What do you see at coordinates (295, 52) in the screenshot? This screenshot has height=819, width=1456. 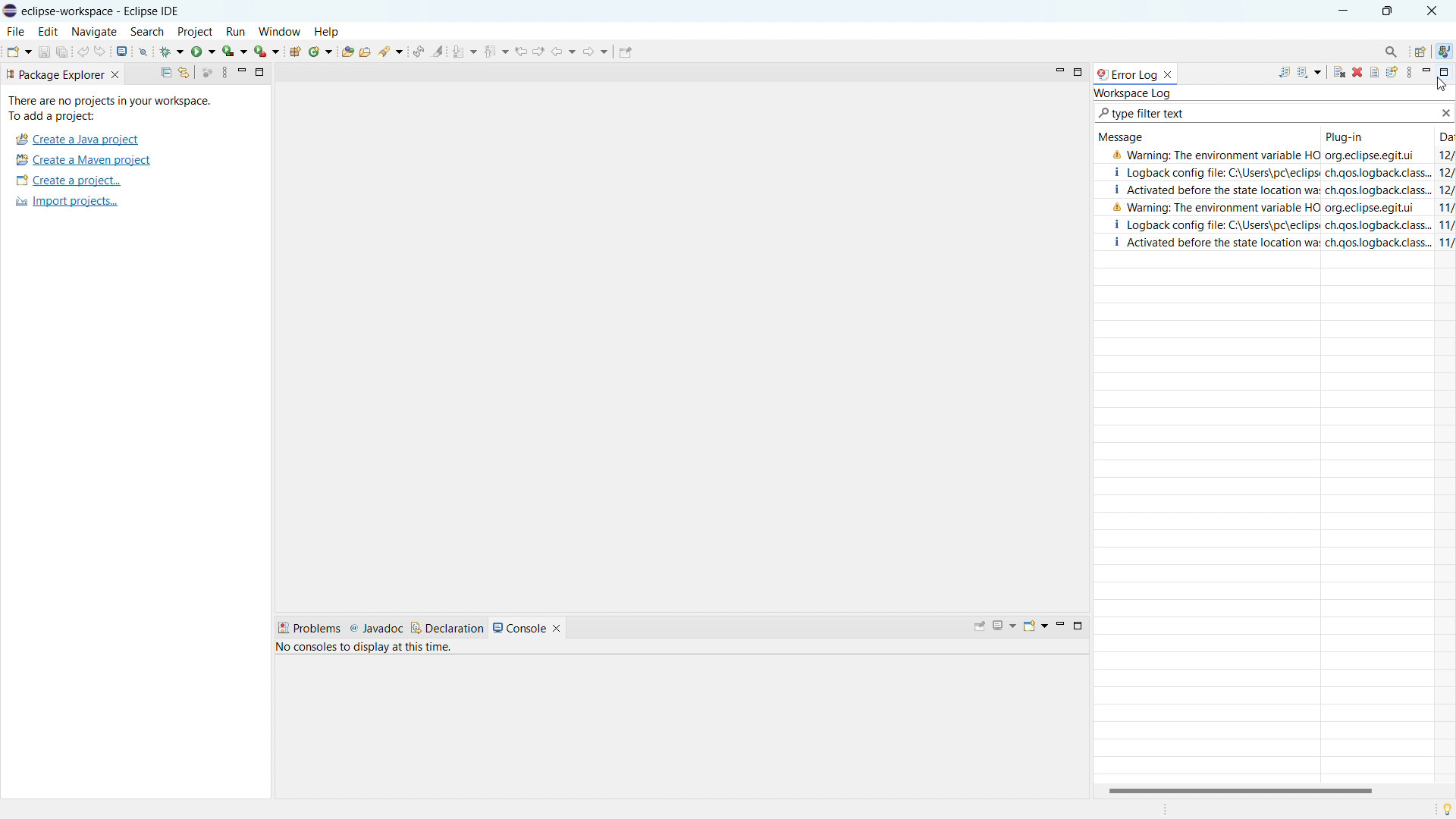 I see `new java type` at bounding box center [295, 52].